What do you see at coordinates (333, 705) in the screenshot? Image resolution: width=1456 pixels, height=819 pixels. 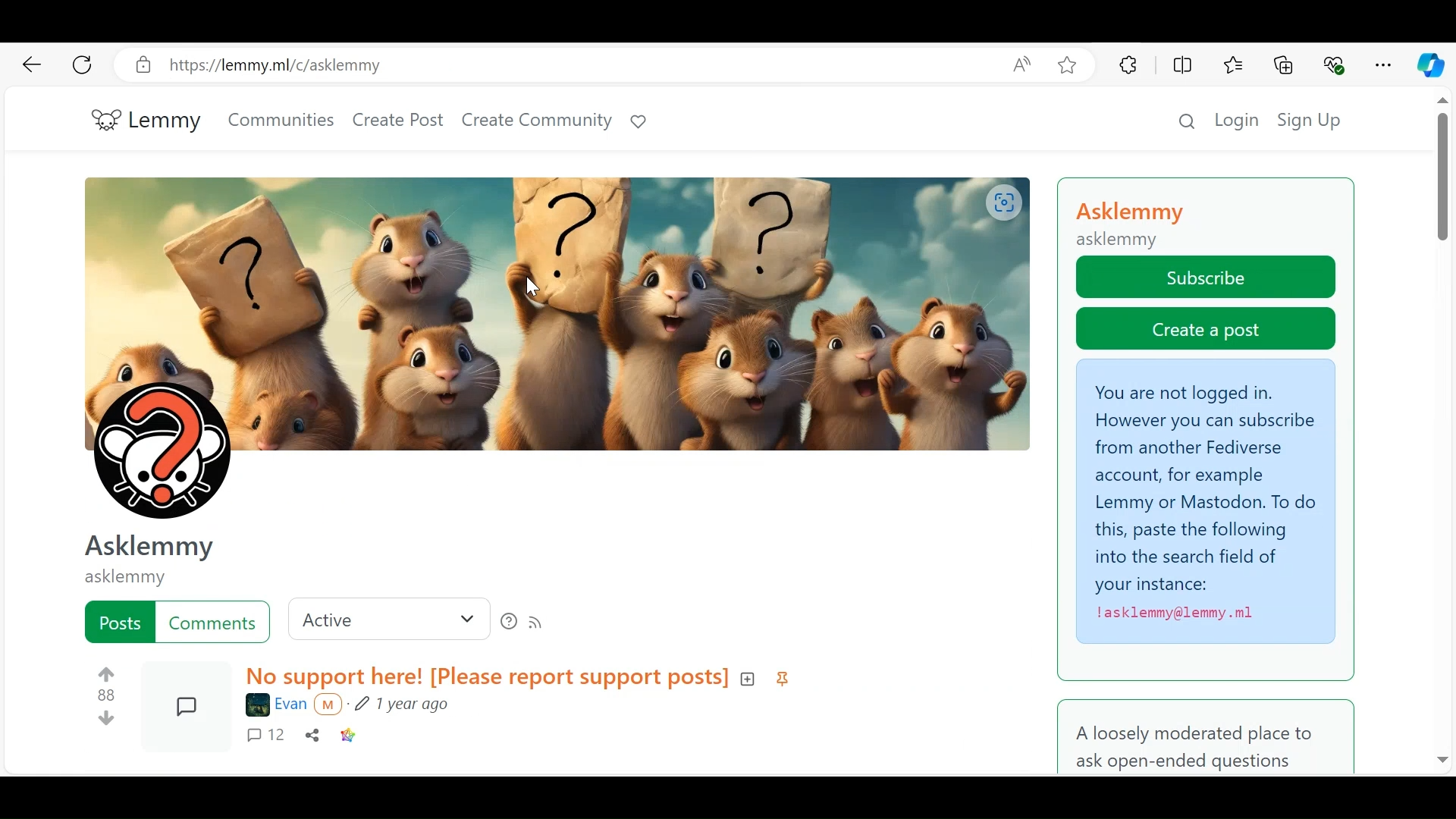 I see `` at bounding box center [333, 705].